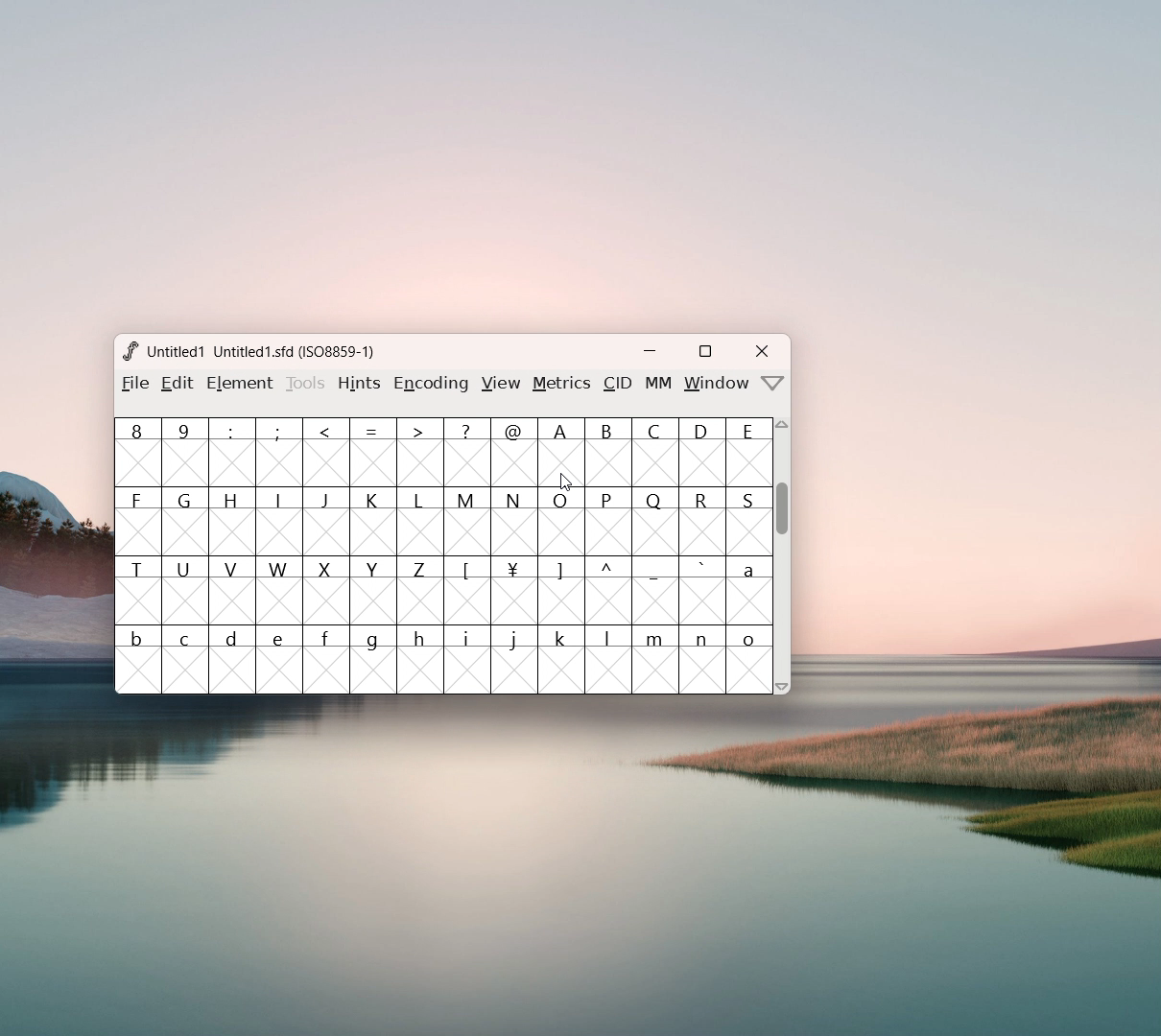 This screenshot has height=1036, width=1161. Describe the element at coordinates (186, 452) in the screenshot. I see `9` at that location.